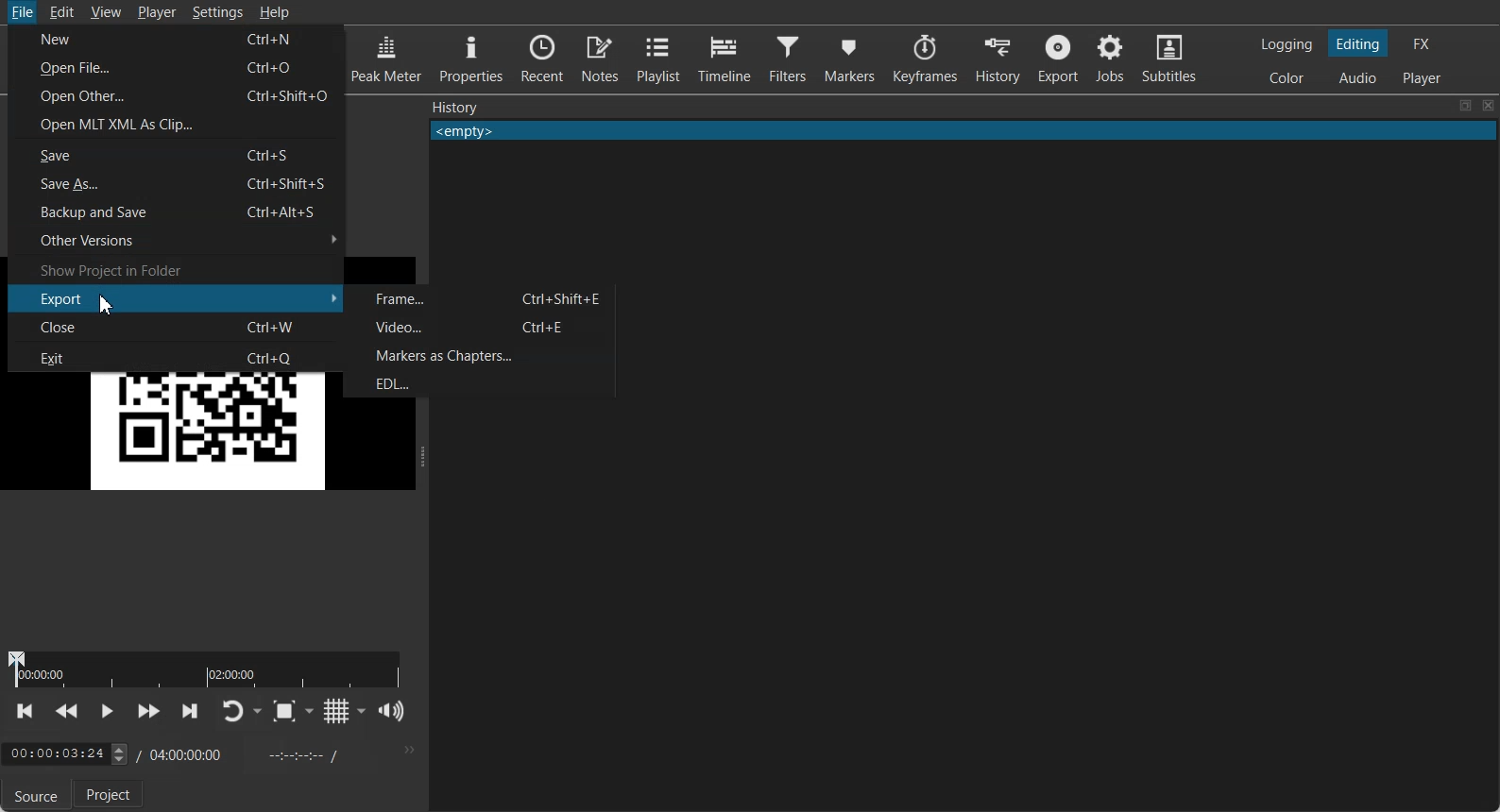 The width and height of the screenshot is (1500, 812). What do you see at coordinates (278, 356) in the screenshot?
I see `Ctrl+Q` at bounding box center [278, 356].